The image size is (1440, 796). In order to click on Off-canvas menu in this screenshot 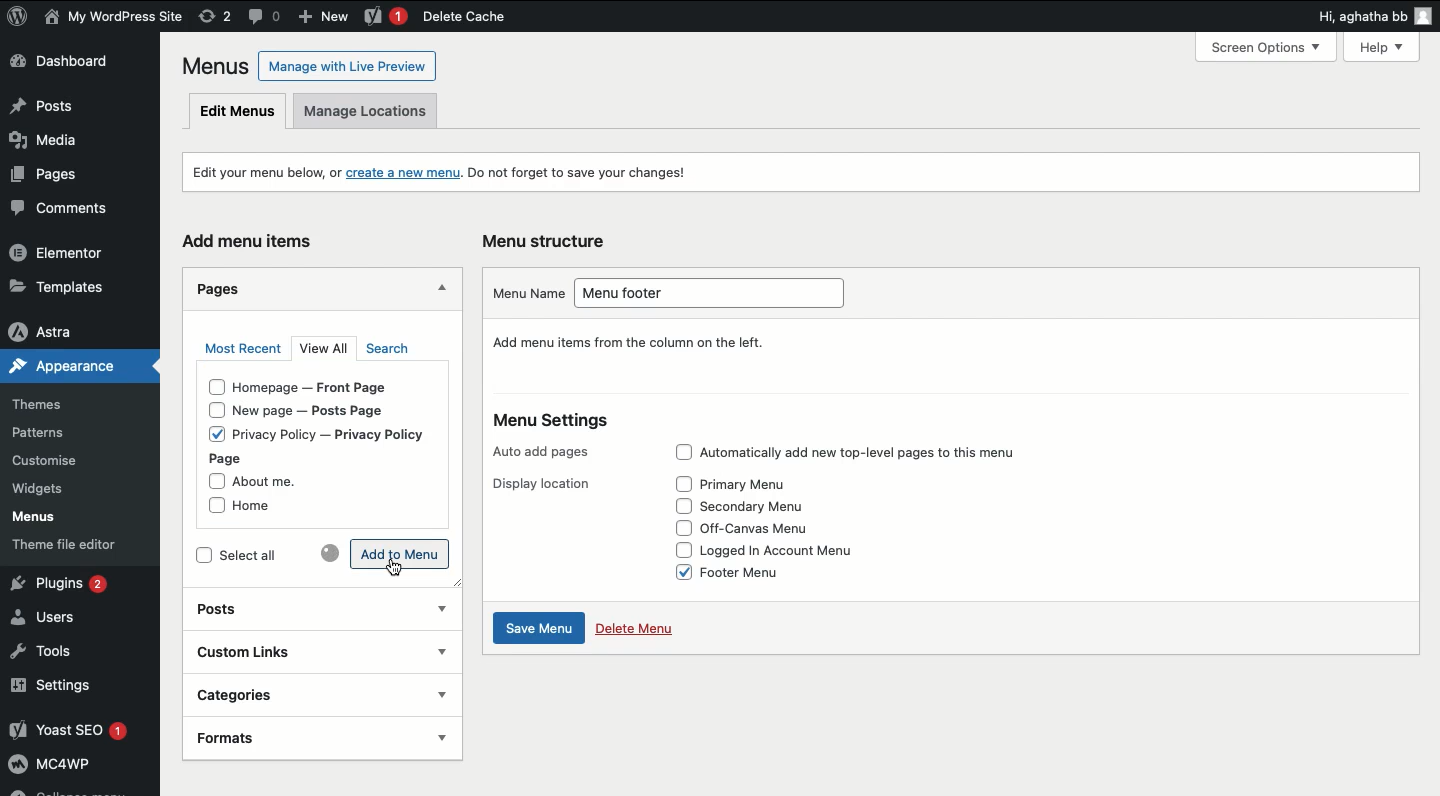, I will do `click(771, 527)`.